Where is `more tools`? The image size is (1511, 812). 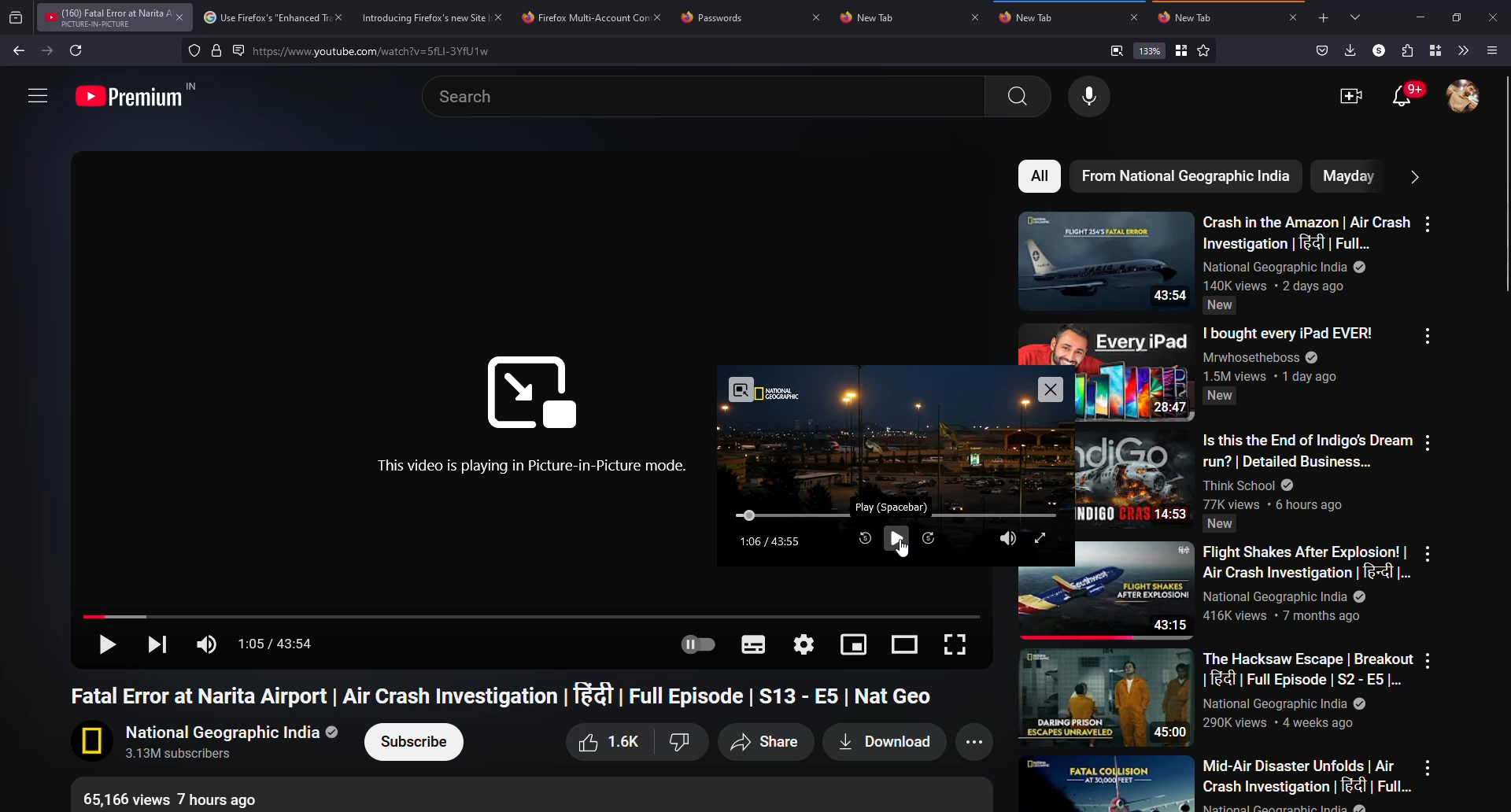 more tools is located at coordinates (1462, 50).